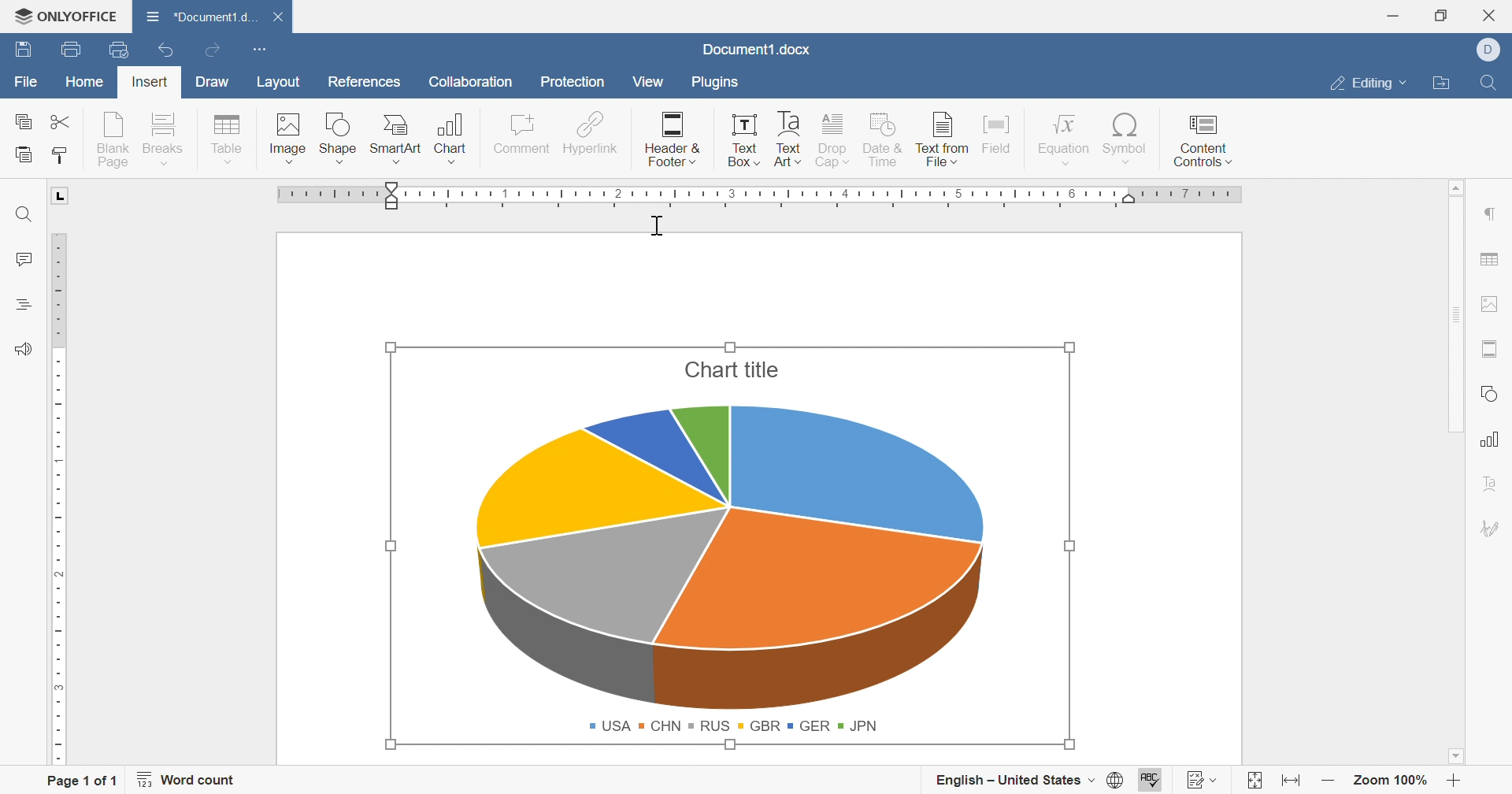 This screenshot has height=794, width=1512. What do you see at coordinates (1492, 302) in the screenshot?
I see `Image settings` at bounding box center [1492, 302].